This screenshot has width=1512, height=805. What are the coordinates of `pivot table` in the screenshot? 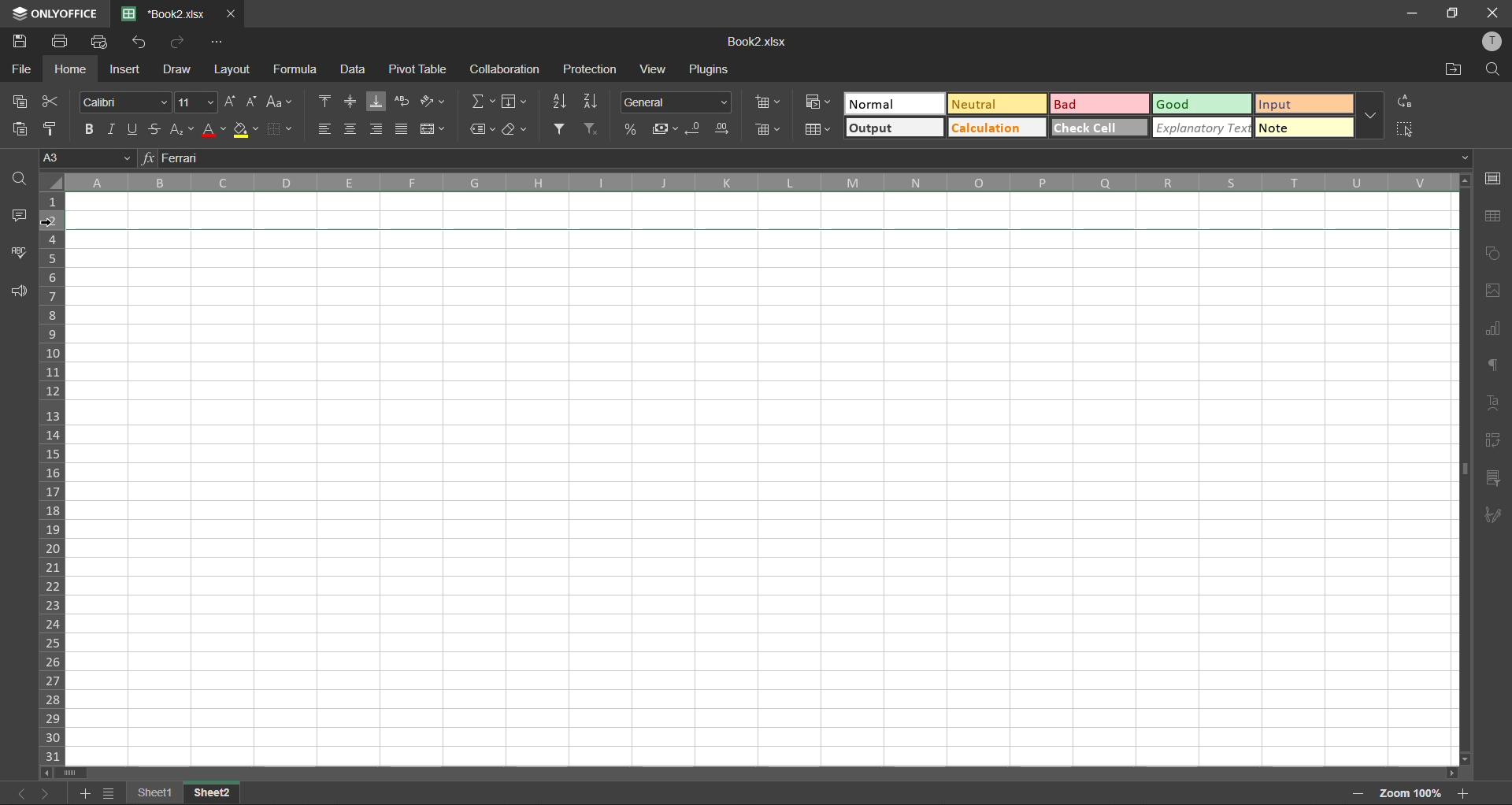 It's located at (417, 69).